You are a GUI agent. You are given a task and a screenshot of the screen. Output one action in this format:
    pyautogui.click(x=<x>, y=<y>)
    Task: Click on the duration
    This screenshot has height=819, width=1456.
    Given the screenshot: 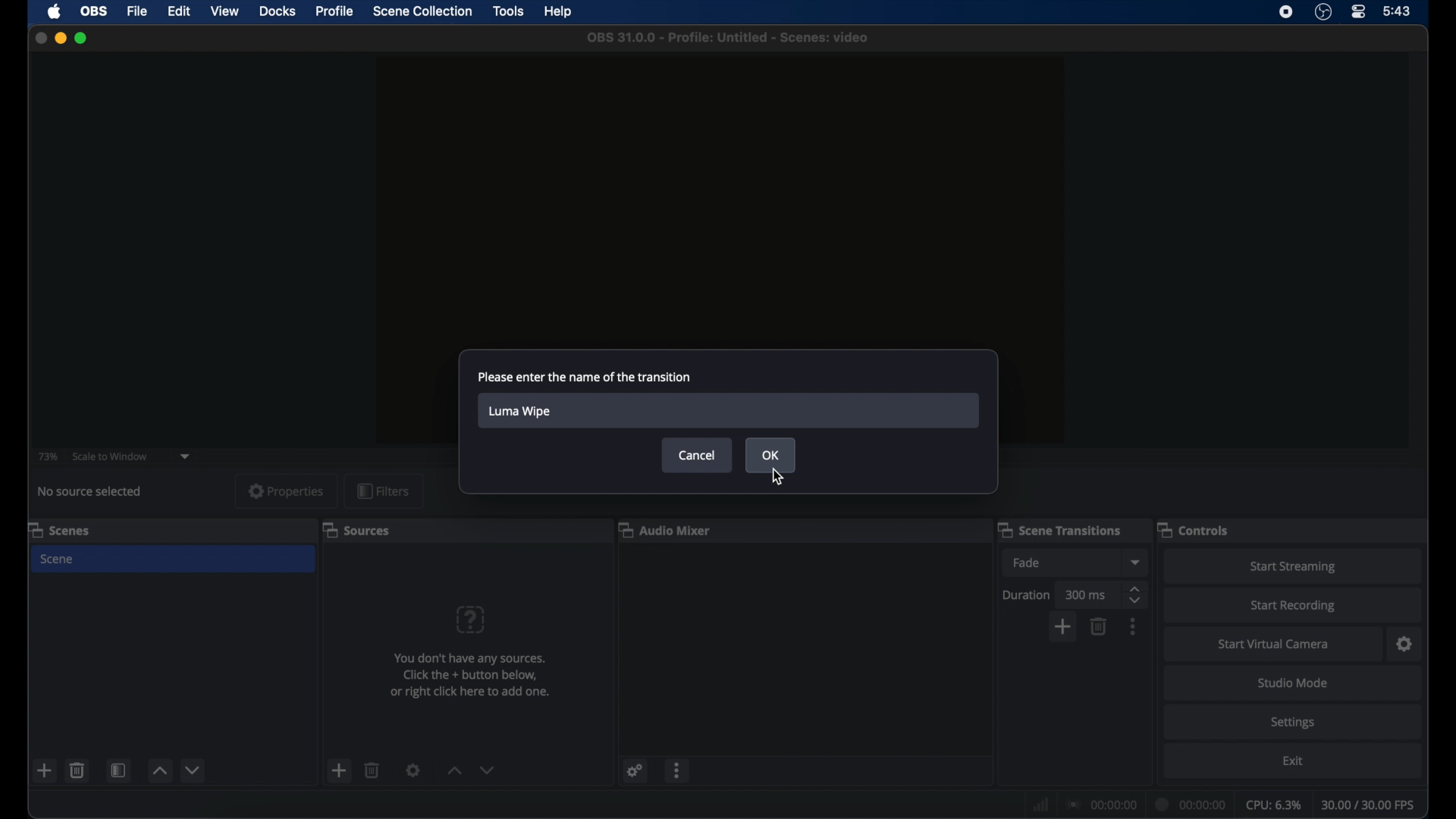 What is the action you would take?
    pyautogui.click(x=1028, y=594)
    